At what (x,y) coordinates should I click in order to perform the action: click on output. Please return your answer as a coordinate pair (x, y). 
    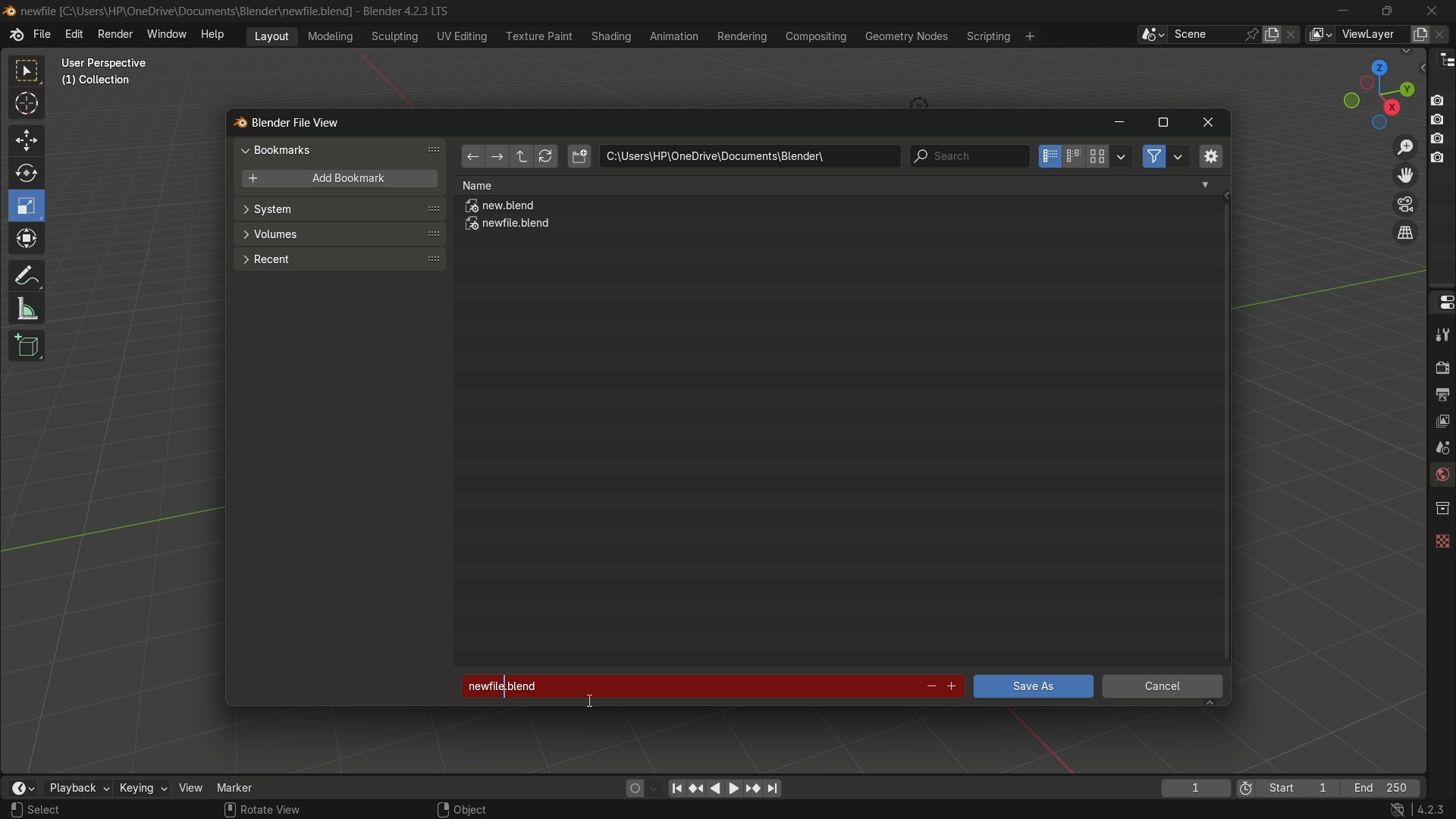
    Looking at the image, I should click on (1442, 394).